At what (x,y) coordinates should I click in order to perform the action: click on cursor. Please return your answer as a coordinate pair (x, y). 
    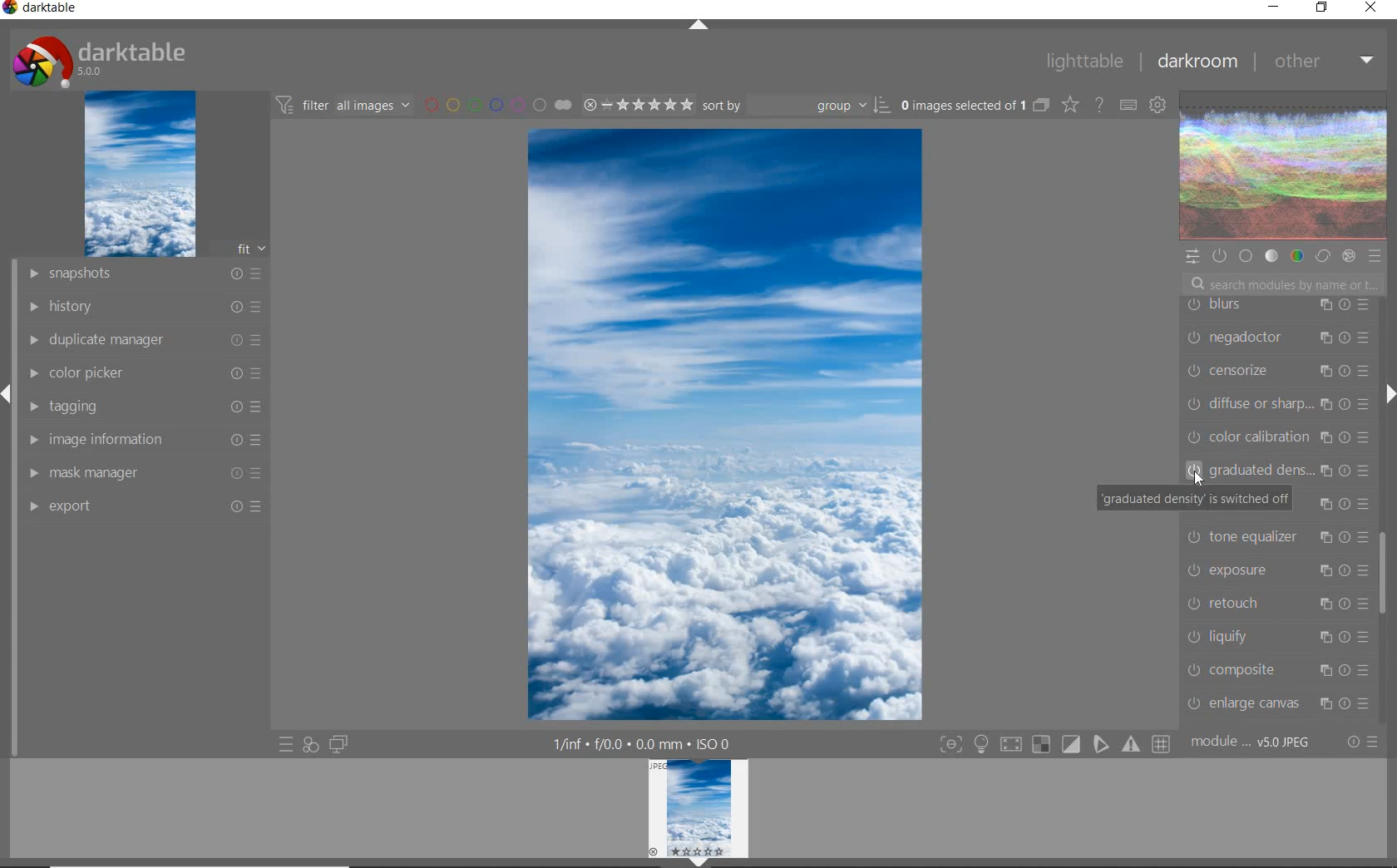
    Looking at the image, I should click on (1200, 481).